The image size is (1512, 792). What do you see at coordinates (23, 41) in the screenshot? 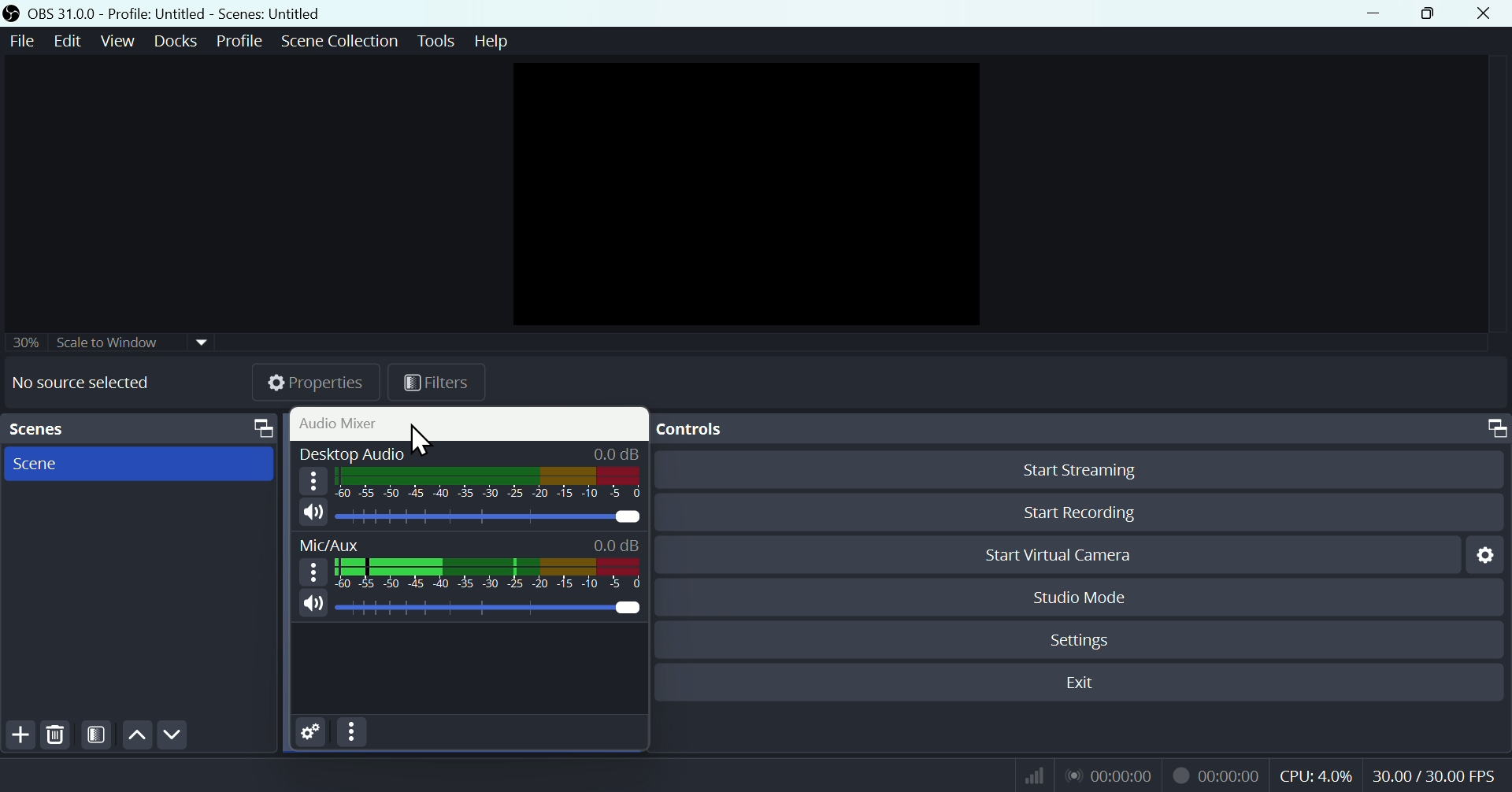
I see `File` at bounding box center [23, 41].